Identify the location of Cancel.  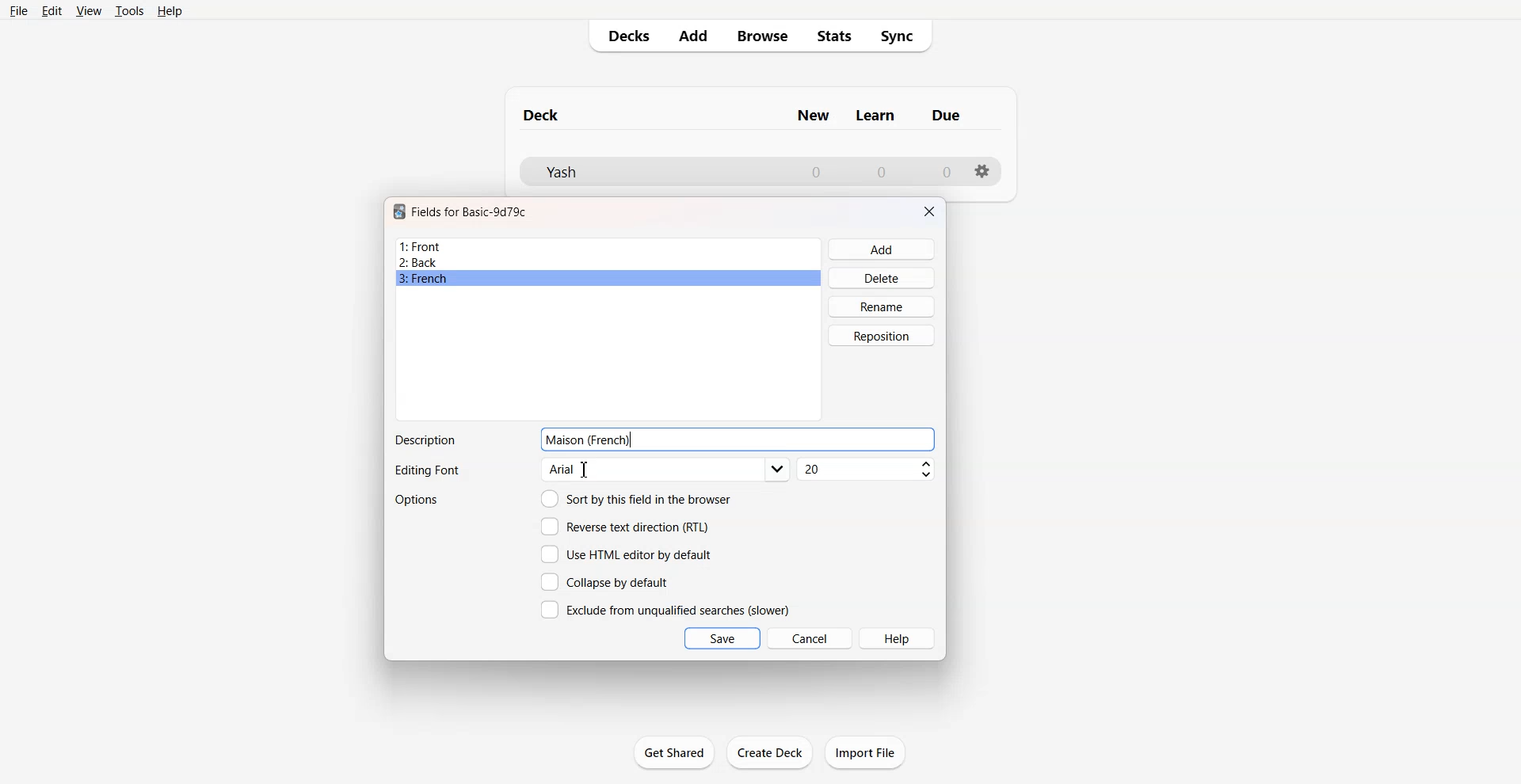
(810, 637).